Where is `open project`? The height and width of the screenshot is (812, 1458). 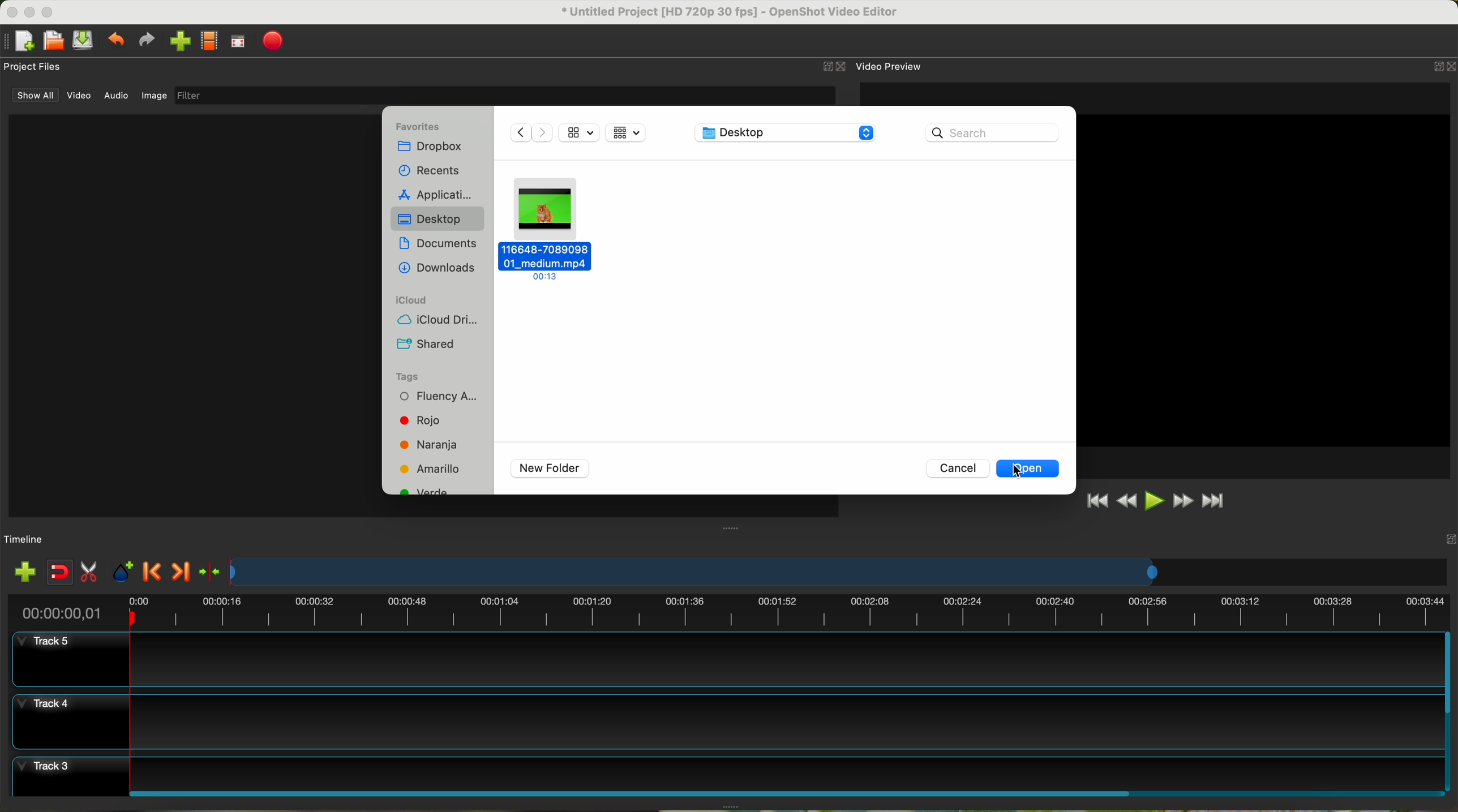 open project is located at coordinates (55, 40).